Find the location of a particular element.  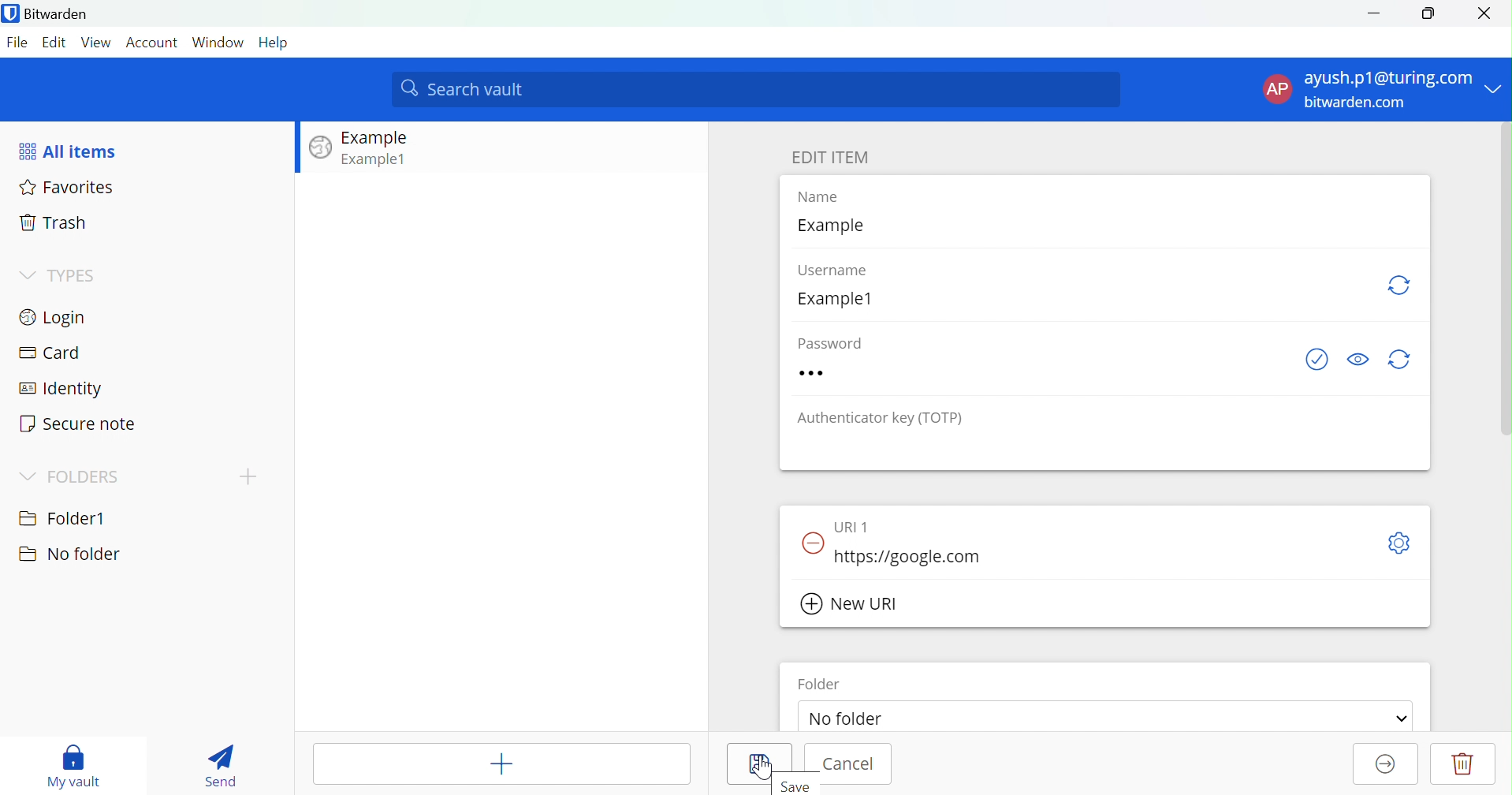

Save is located at coordinates (801, 786).